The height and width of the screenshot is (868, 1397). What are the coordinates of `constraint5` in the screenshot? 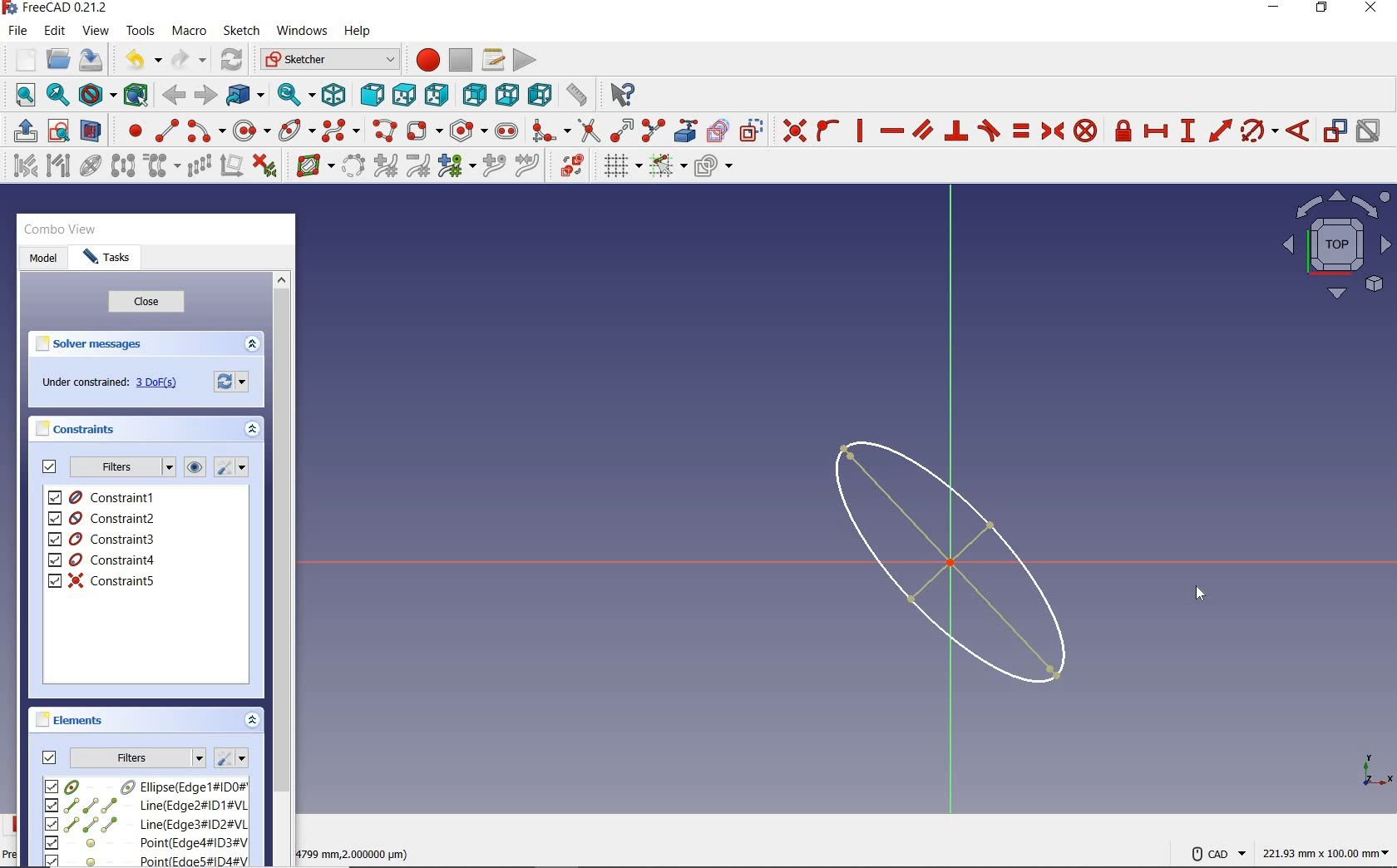 It's located at (102, 580).